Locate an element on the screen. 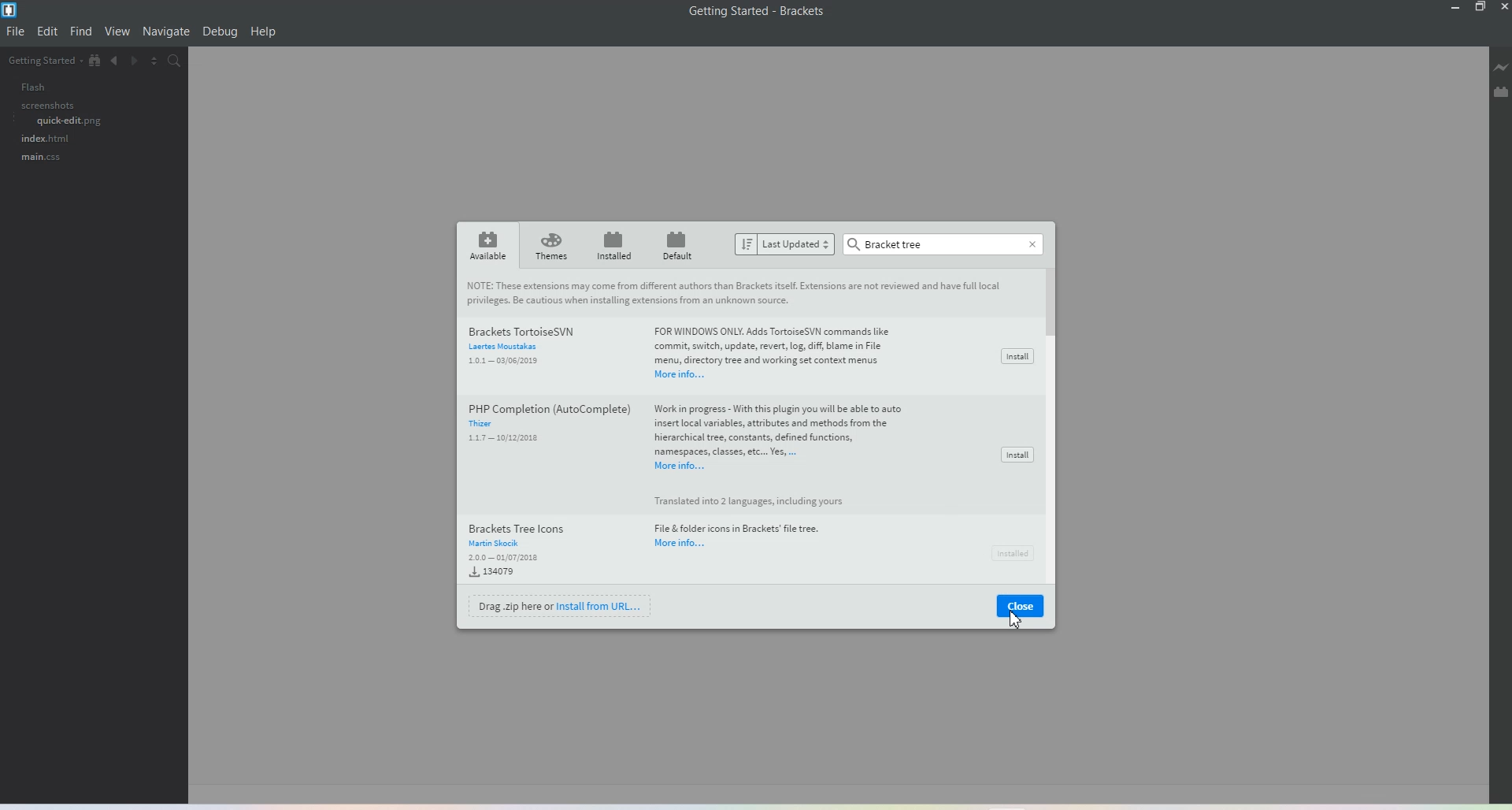  Close is located at coordinates (1503, 7).